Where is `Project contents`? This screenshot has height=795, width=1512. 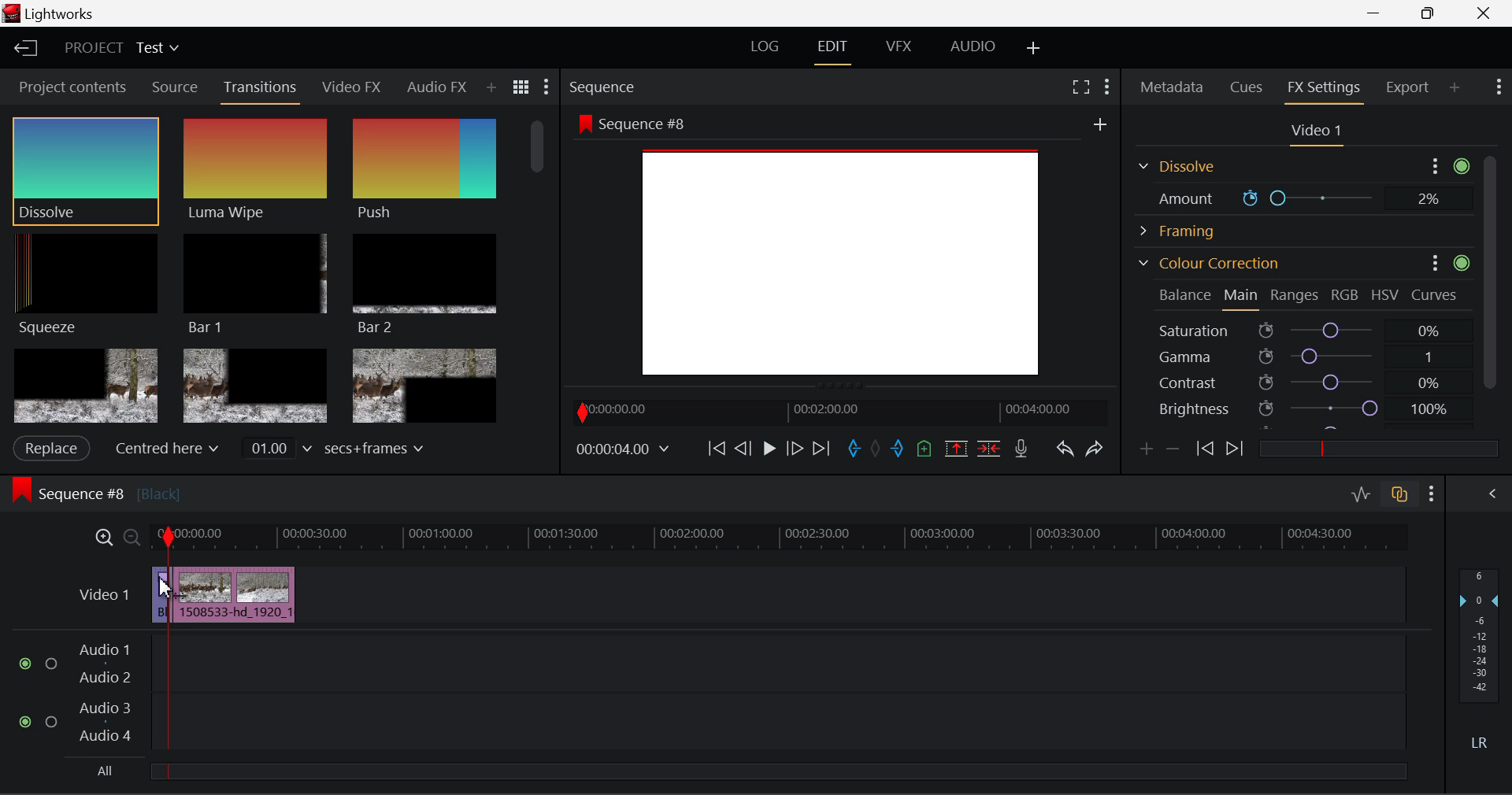
Project contents is located at coordinates (72, 91).